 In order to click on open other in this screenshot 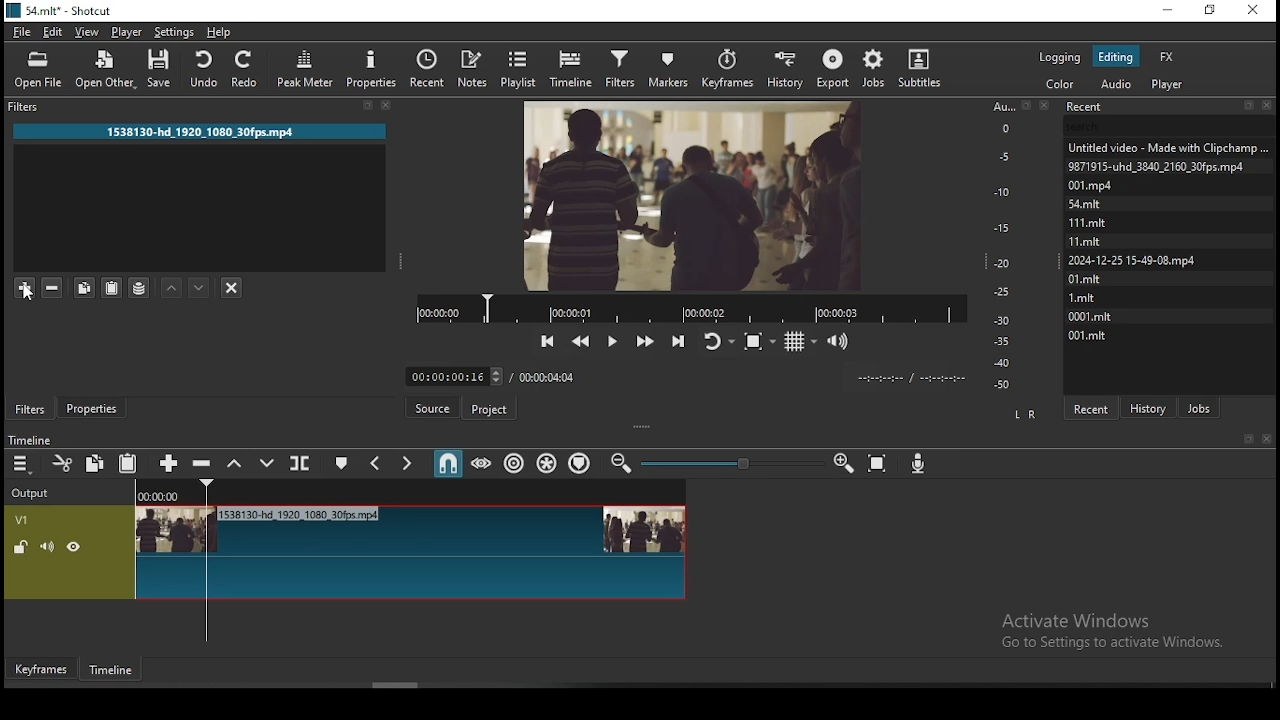, I will do `click(103, 71)`.